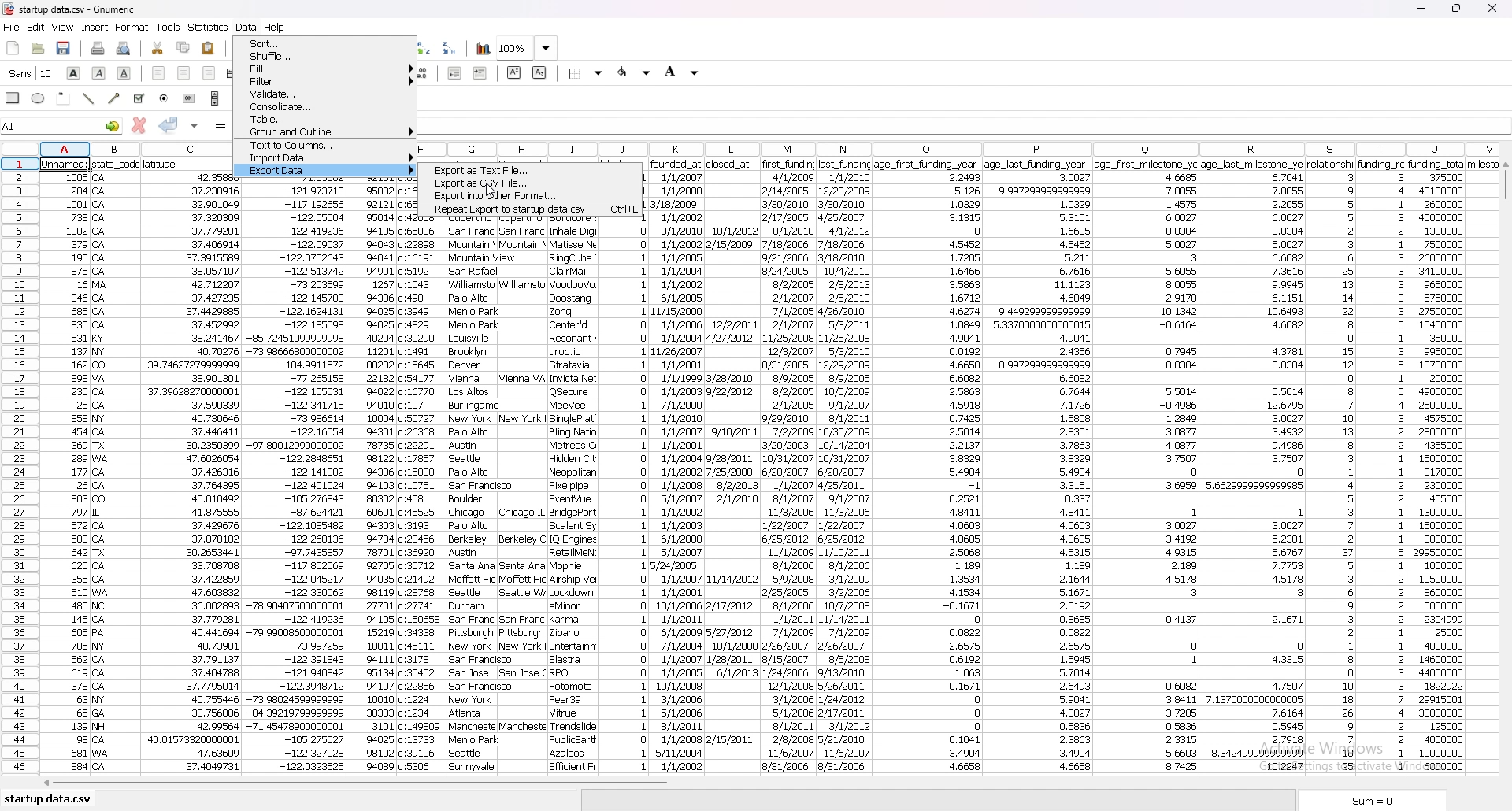 This screenshot has height=811, width=1512. I want to click on minimize, so click(1421, 9).